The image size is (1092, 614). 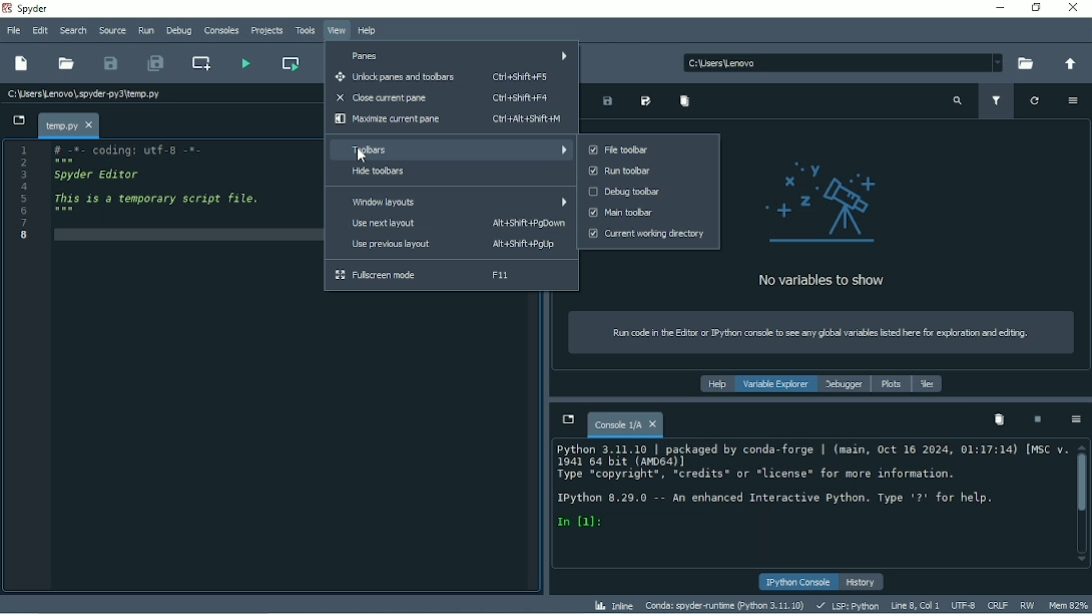 I want to click on Serial numbers, so click(x=25, y=194).